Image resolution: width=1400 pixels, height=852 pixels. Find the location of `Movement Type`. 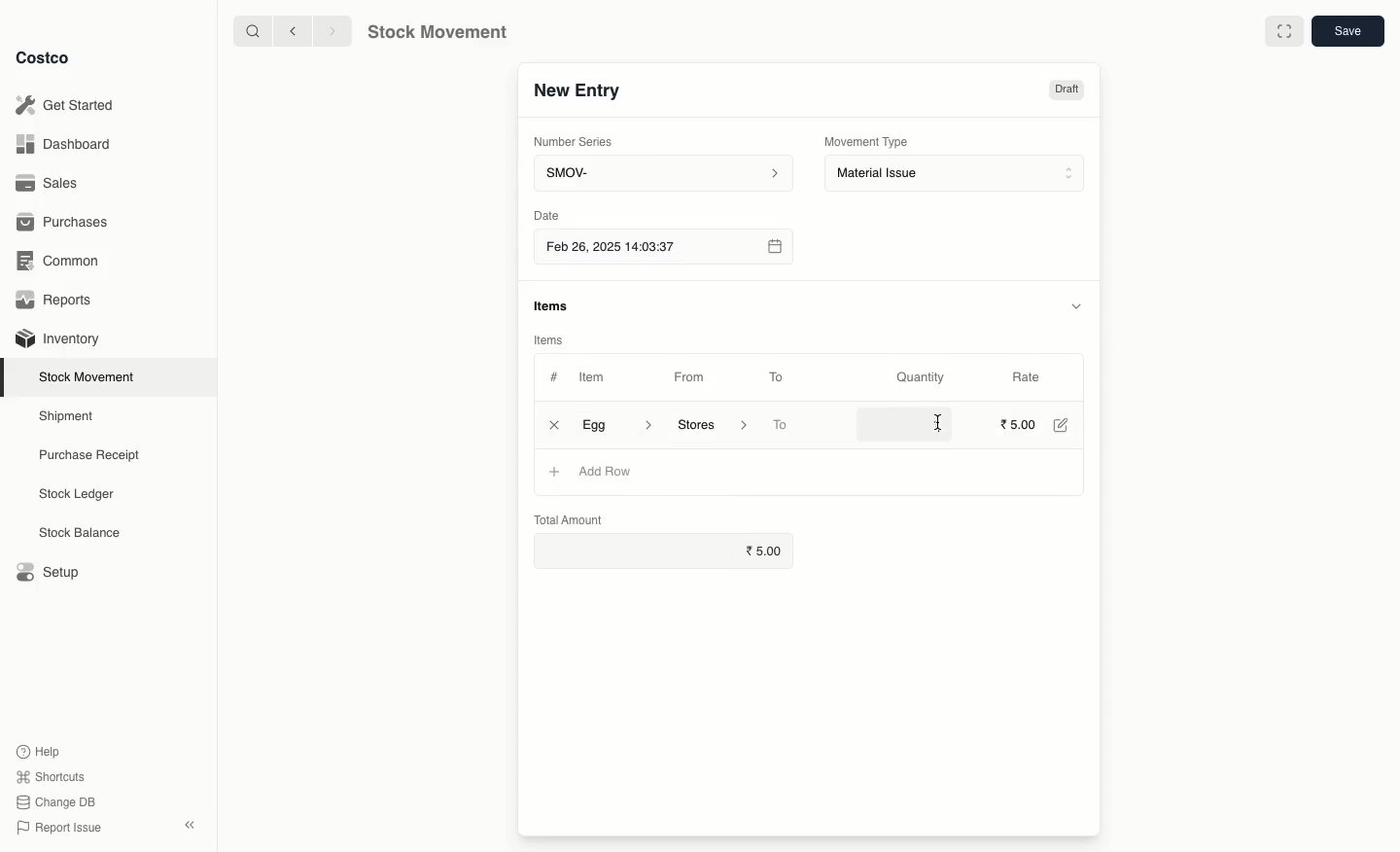

Movement Type is located at coordinates (867, 141).